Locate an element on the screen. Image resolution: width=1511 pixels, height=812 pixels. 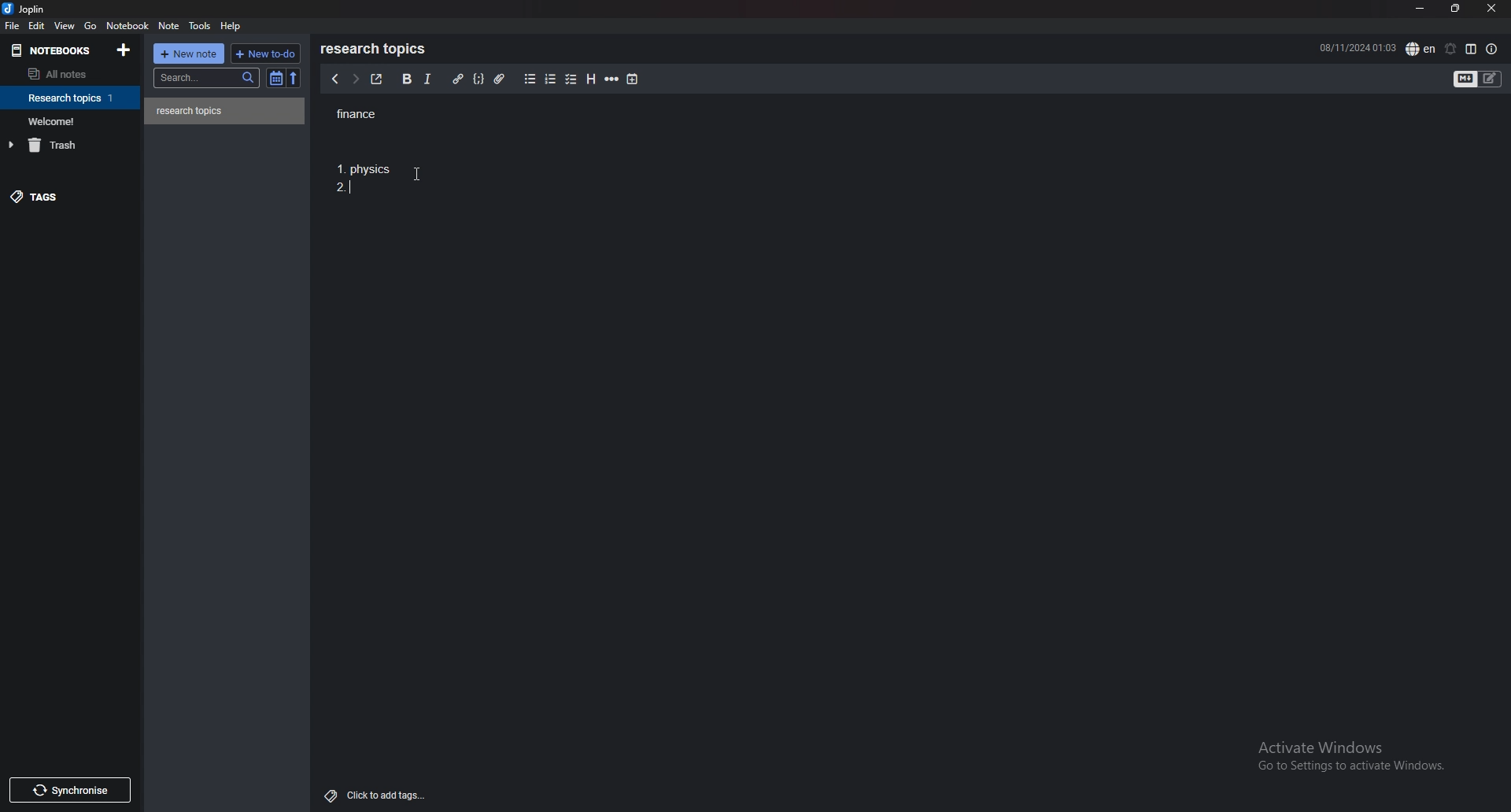
tools is located at coordinates (200, 26).